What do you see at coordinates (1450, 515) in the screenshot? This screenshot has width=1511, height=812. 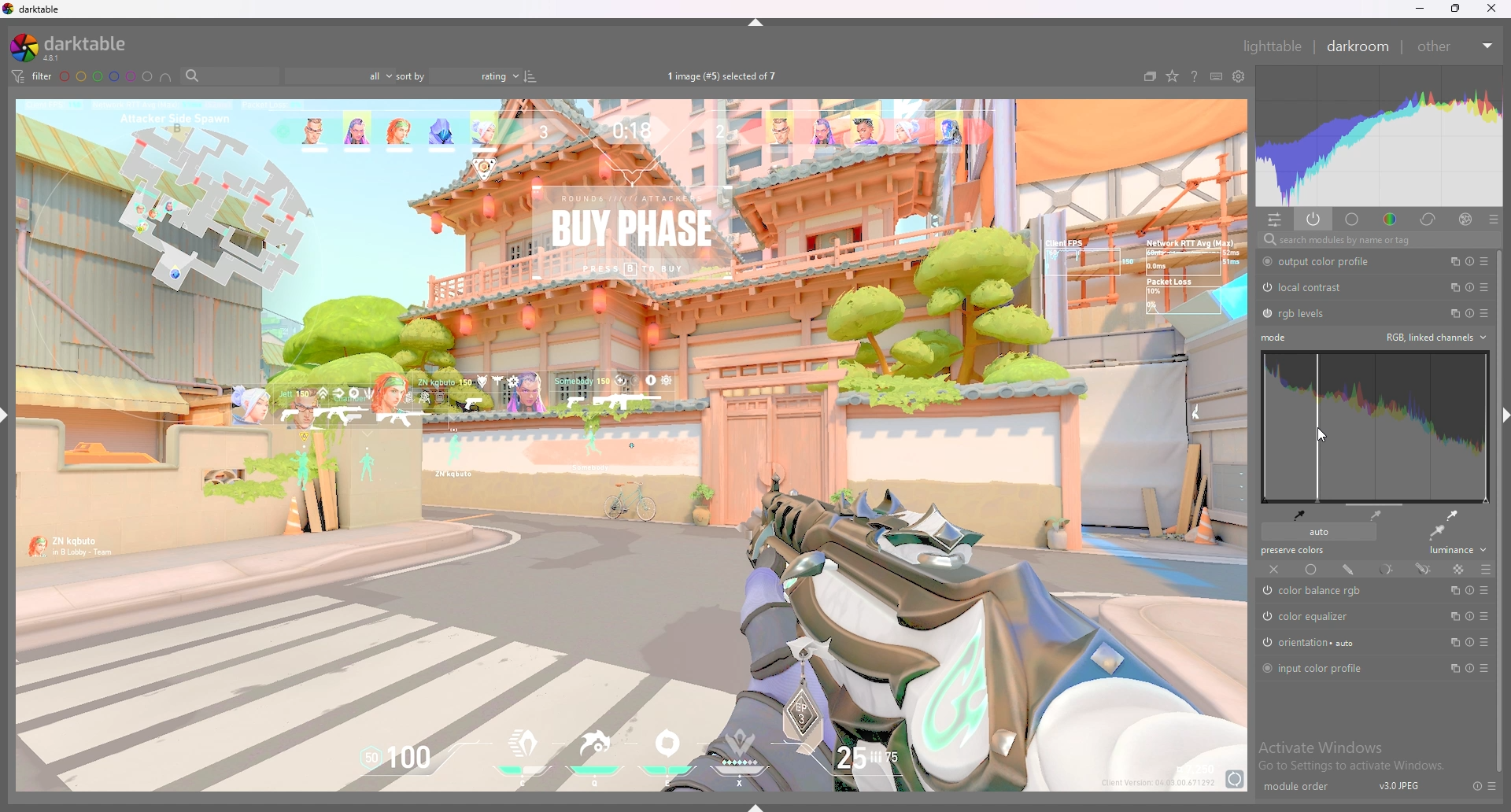 I see `white points` at bounding box center [1450, 515].